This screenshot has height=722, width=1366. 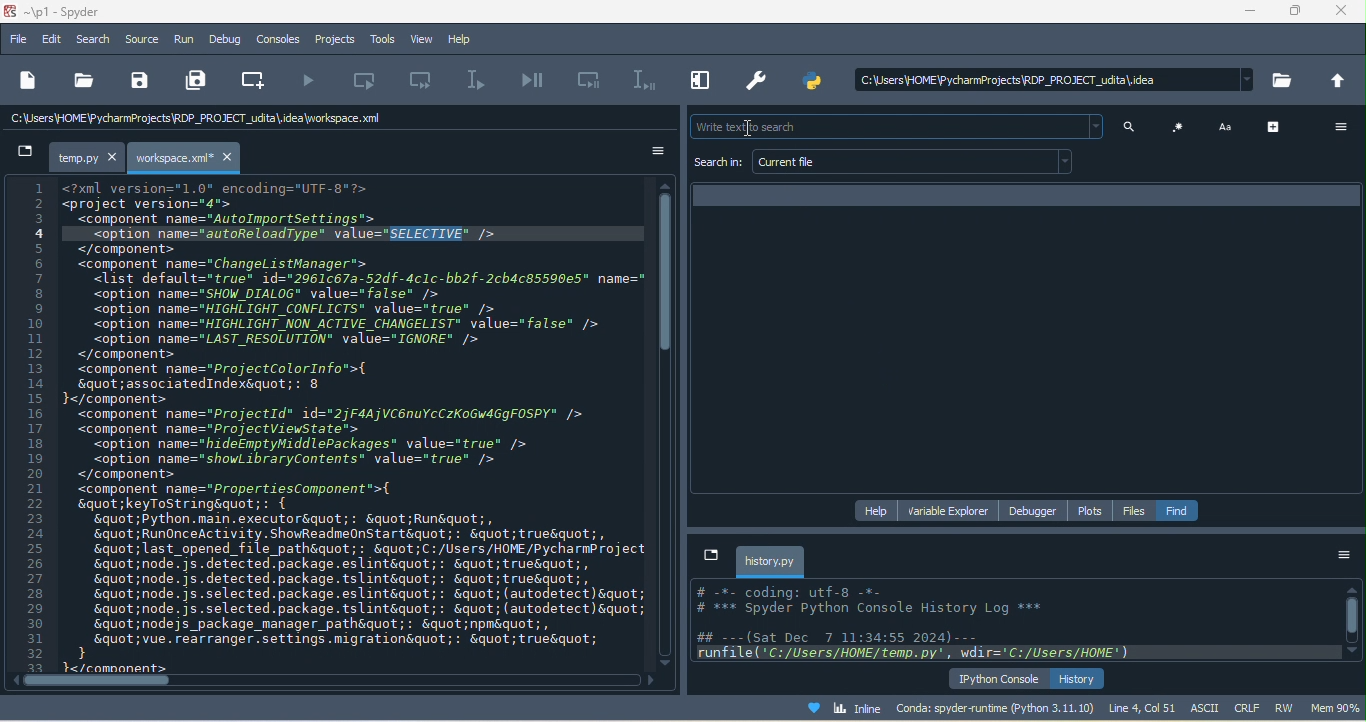 What do you see at coordinates (1277, 126) in the screenshot?
I see `add ` at bounding box center [1277, 126].